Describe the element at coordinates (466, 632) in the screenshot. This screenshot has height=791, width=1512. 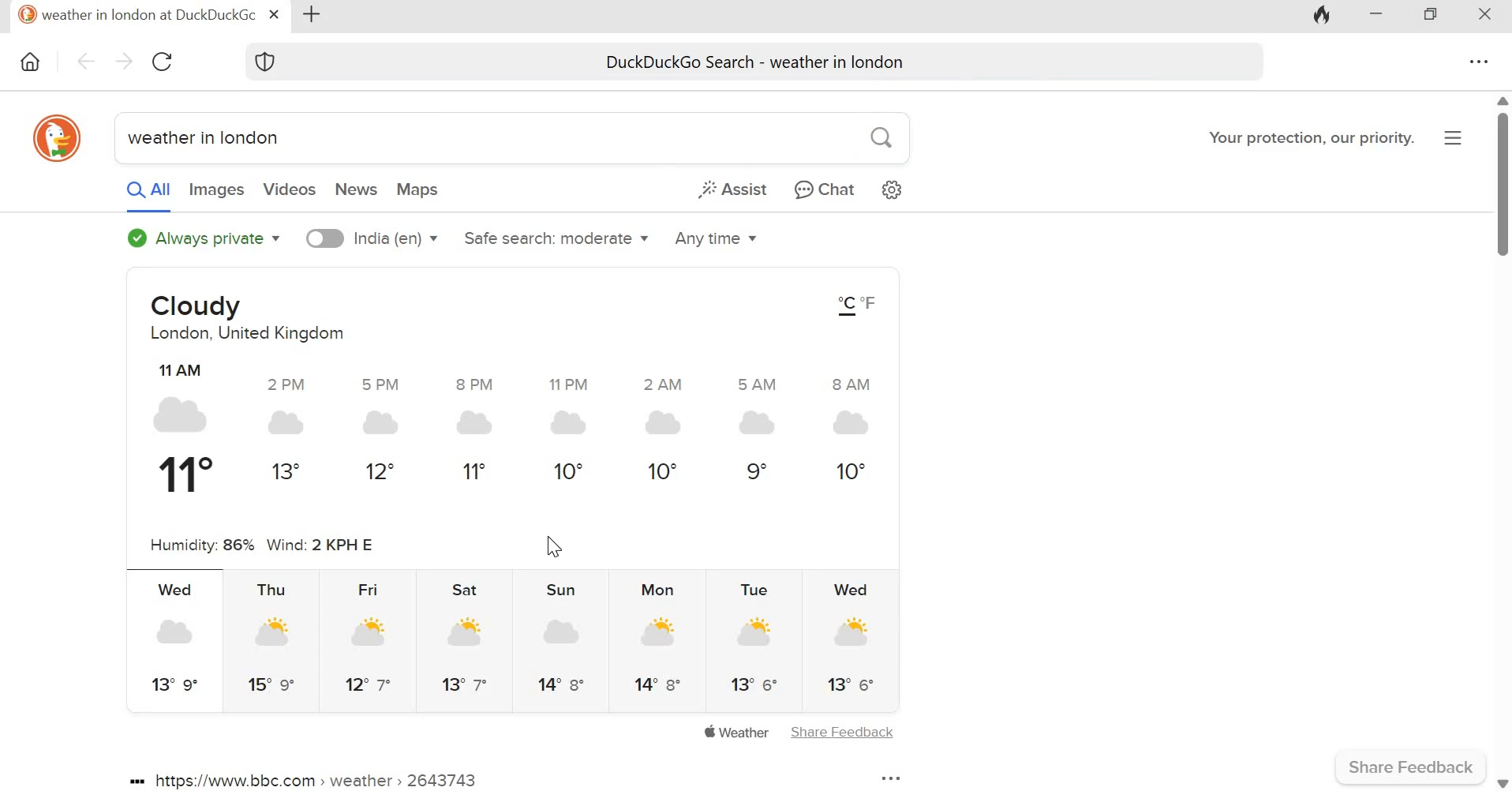
I see `Indicates partly sunny` at that location.